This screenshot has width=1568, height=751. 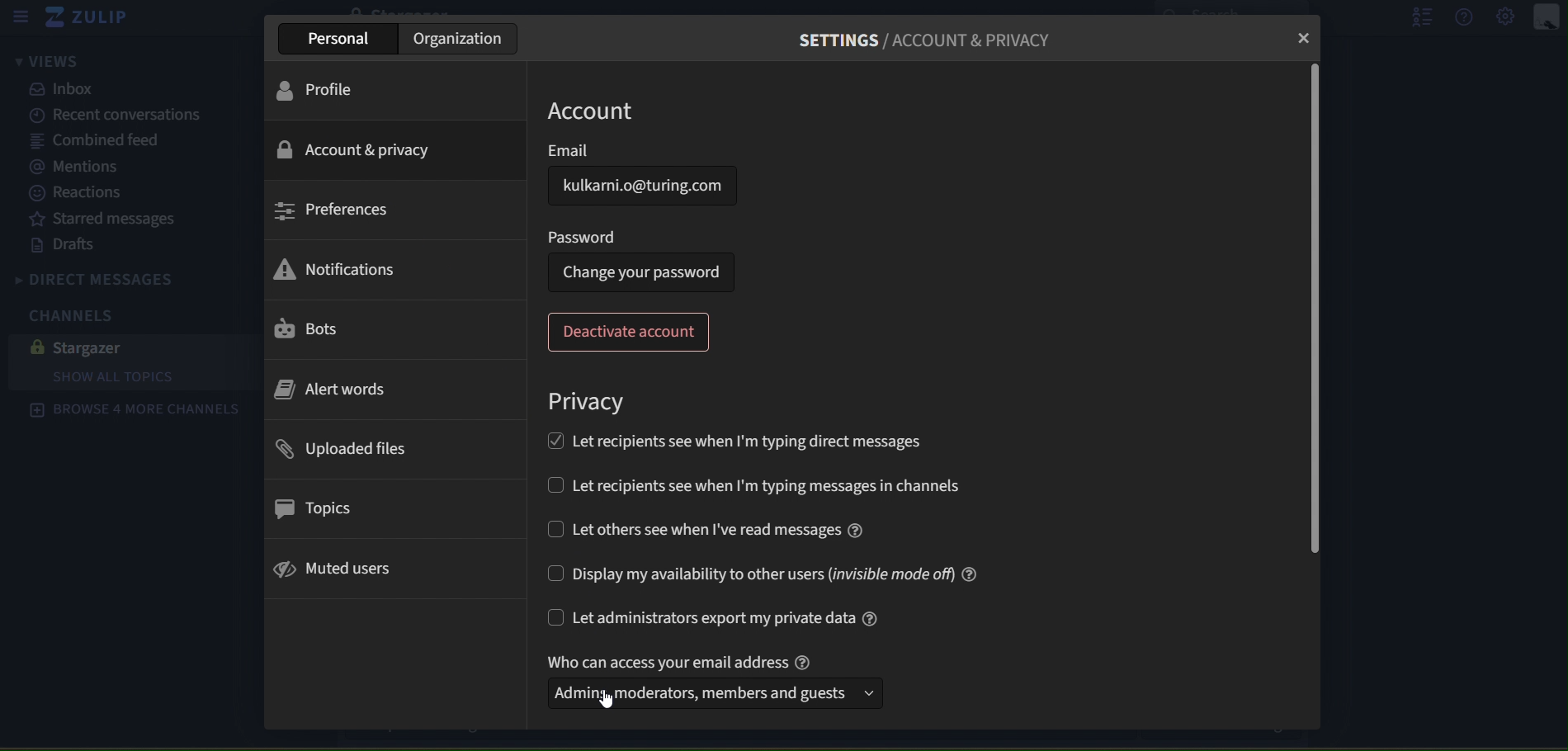 I want to click on sidebar, so click(x=20, y=17).